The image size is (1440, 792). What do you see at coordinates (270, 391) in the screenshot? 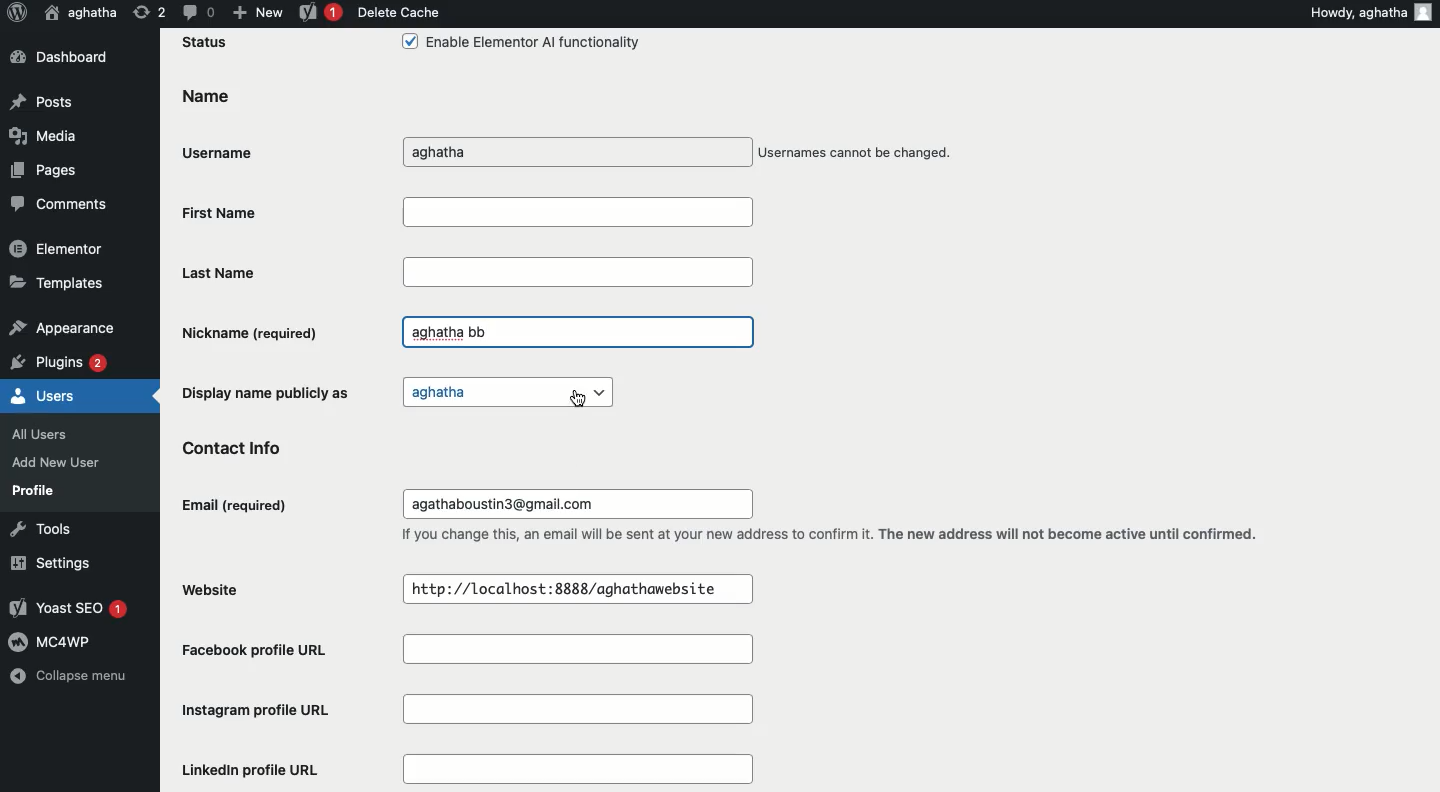
I see `Display name publicly as` at bounding box center [270, 391].